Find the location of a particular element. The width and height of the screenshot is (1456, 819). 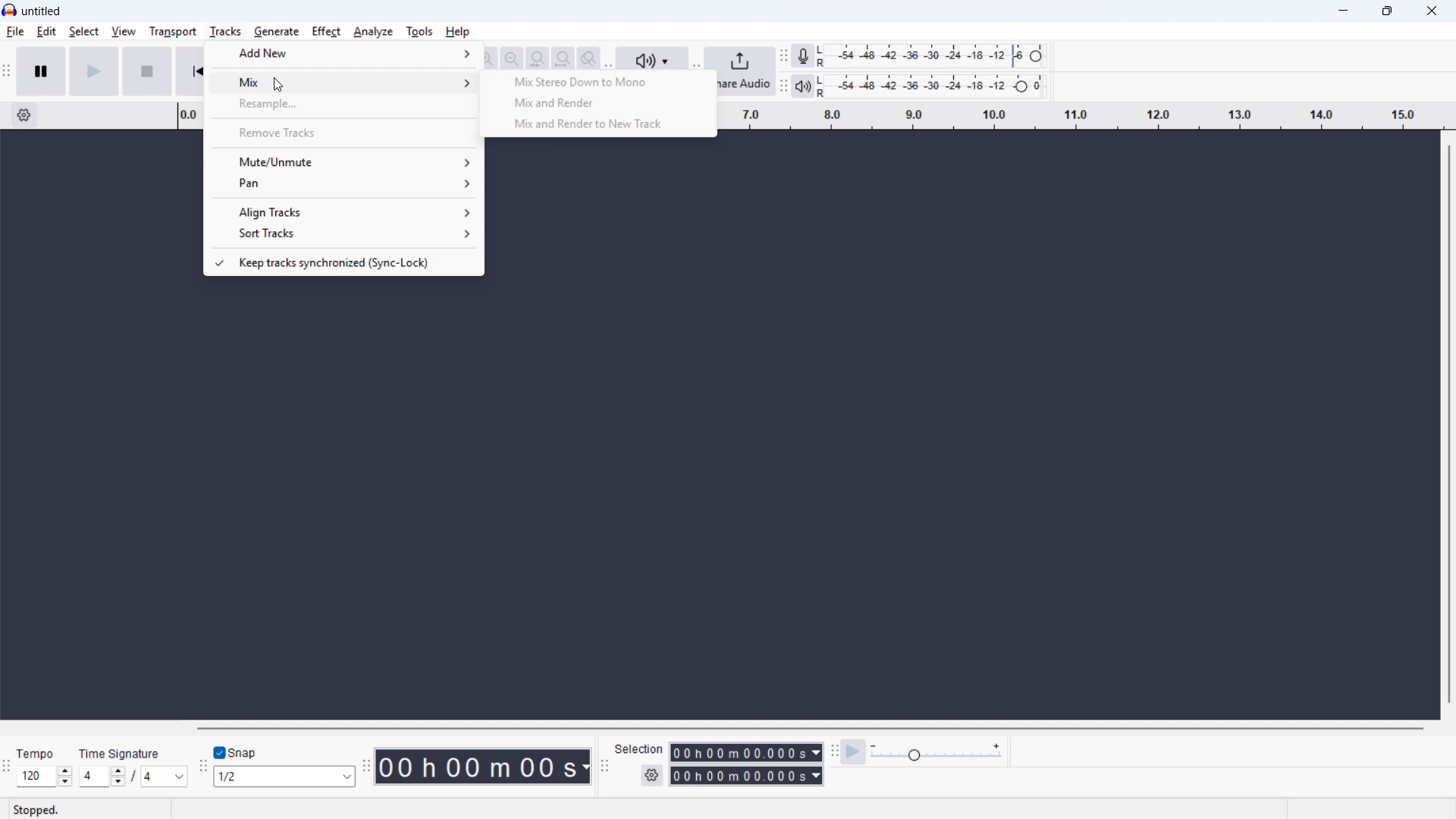

Close  is located at coordinates (1432, 11).